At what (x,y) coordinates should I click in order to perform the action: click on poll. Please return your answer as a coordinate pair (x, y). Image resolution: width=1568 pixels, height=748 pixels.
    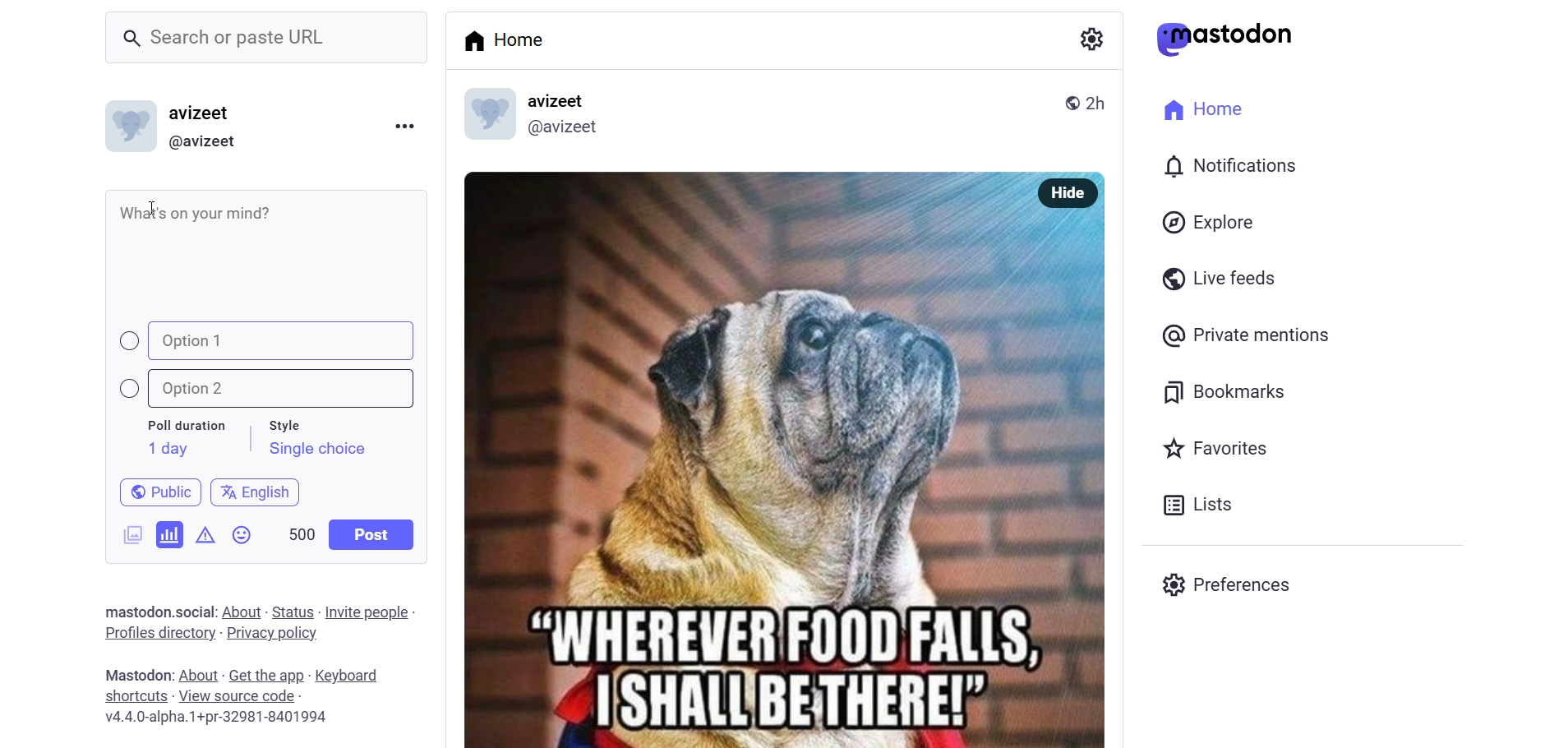
    Looking at the image, I should click on (170, 533).